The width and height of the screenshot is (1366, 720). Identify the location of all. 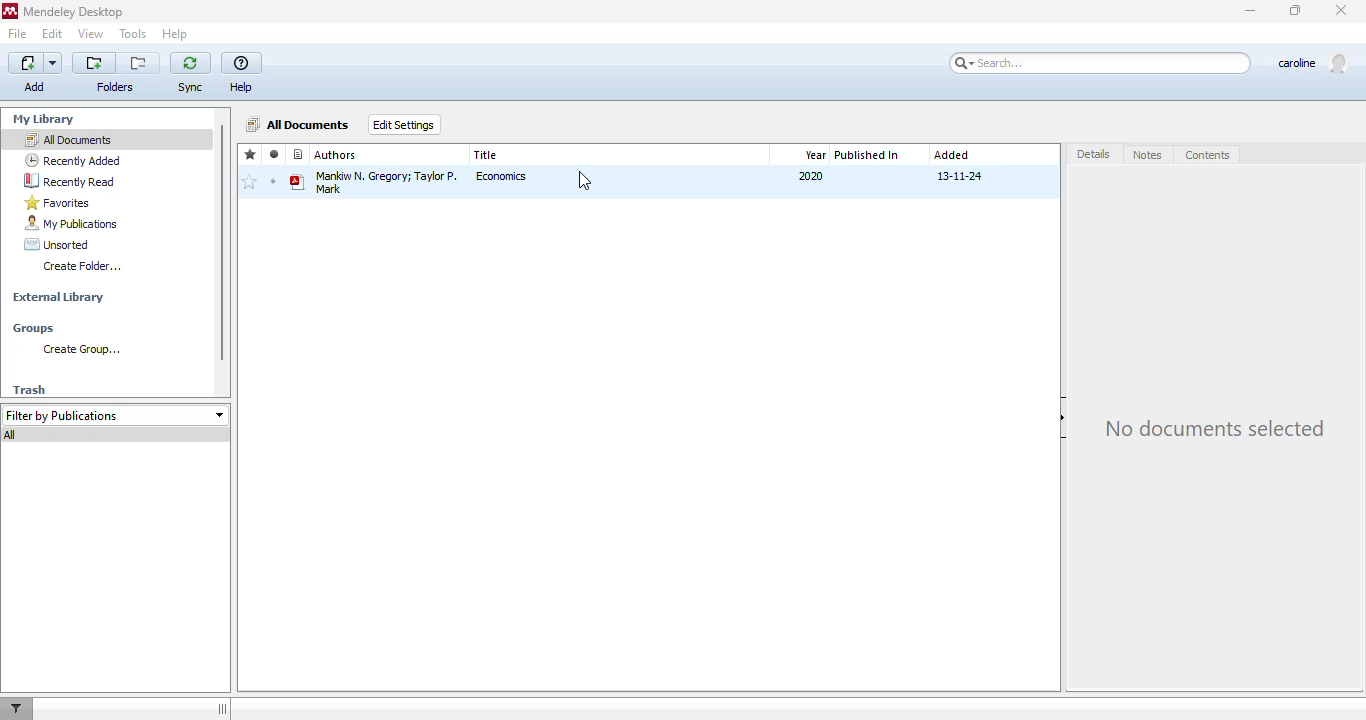
(12, 435).